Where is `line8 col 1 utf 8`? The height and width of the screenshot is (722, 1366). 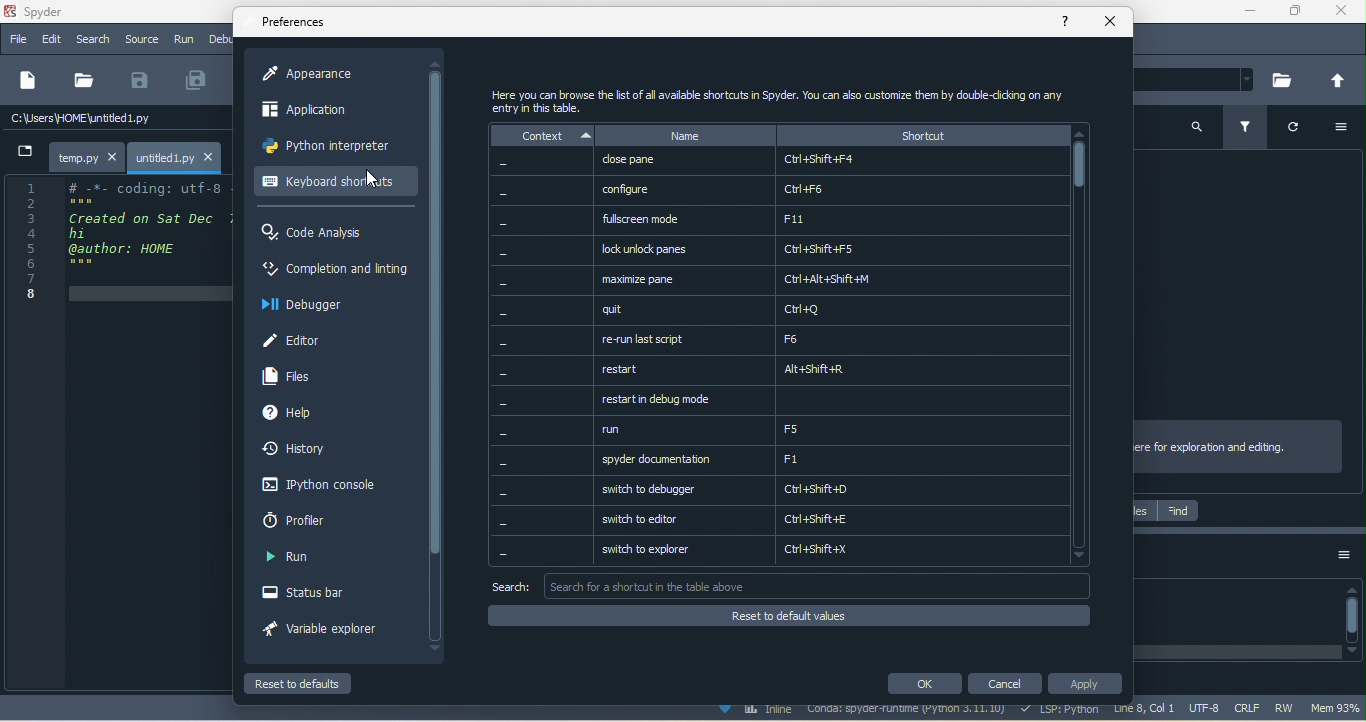
line8 col 1 utf 8 is located at coordinates (1167, 711).